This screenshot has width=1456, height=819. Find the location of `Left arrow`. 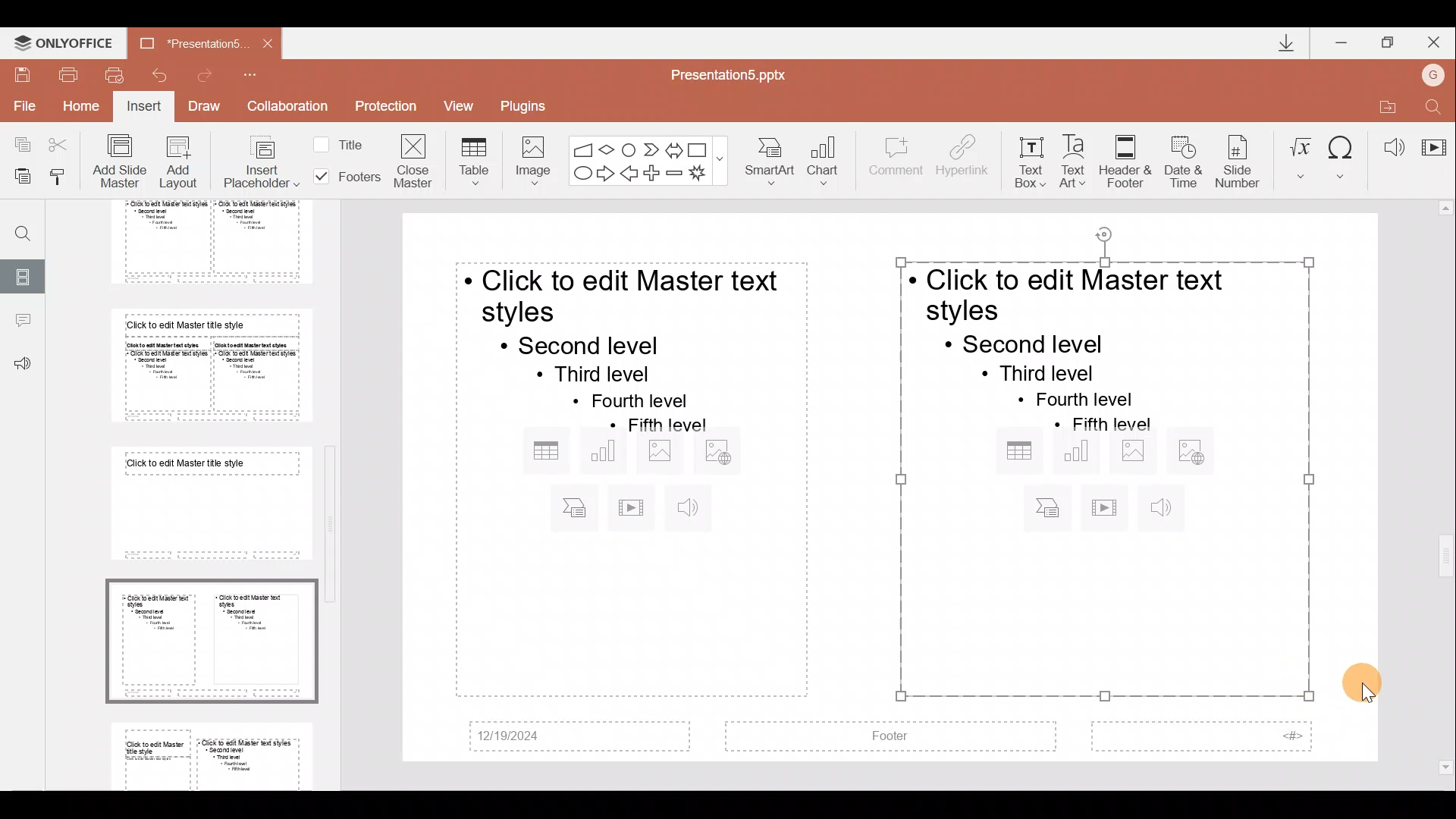

Left arrow is located at coordinates (630, 174).